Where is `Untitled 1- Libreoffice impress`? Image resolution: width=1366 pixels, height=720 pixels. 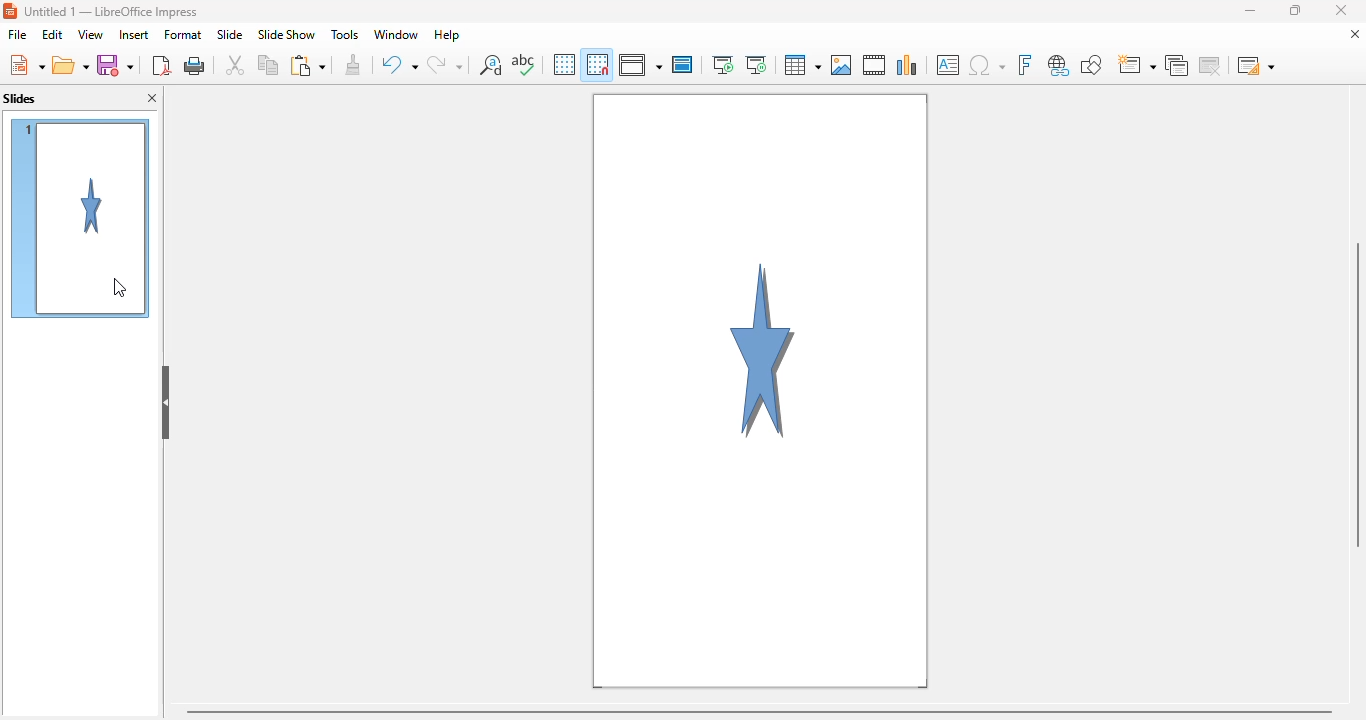
Untitled 1- Libreoffice impress is located at coordinates (111, 11).